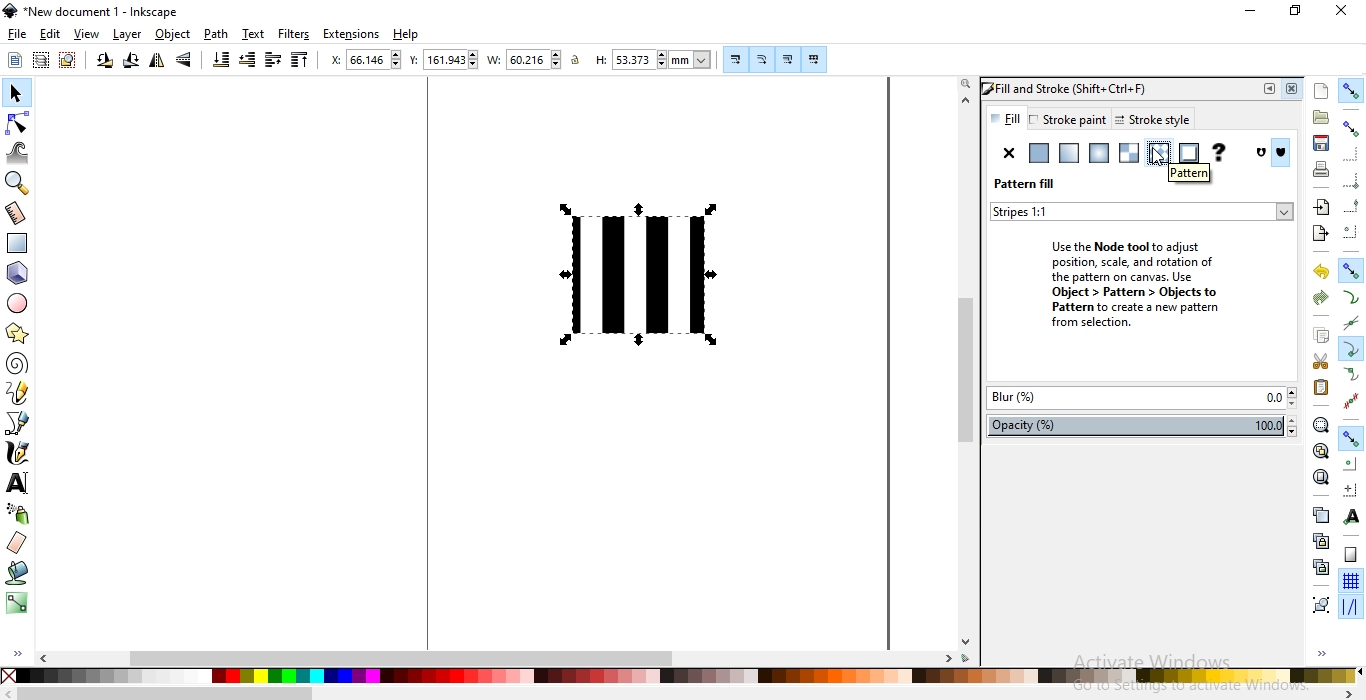  What do you see at coordinates (17, 393) in the screenshot?
I see `draw freehand lines` at bounding box center [17, 393].